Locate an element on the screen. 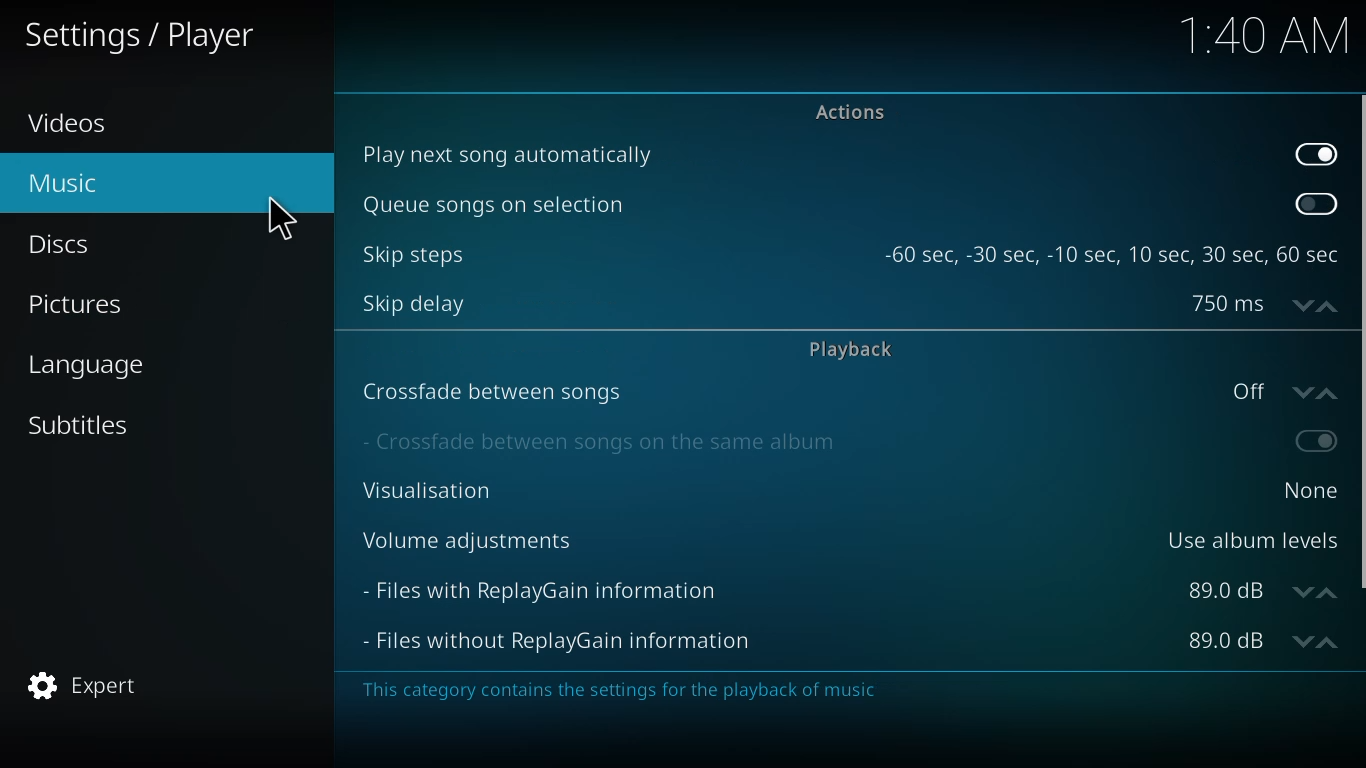 The image size is (1366, 768). file with replaygain info is located at coordinates (545, 589).